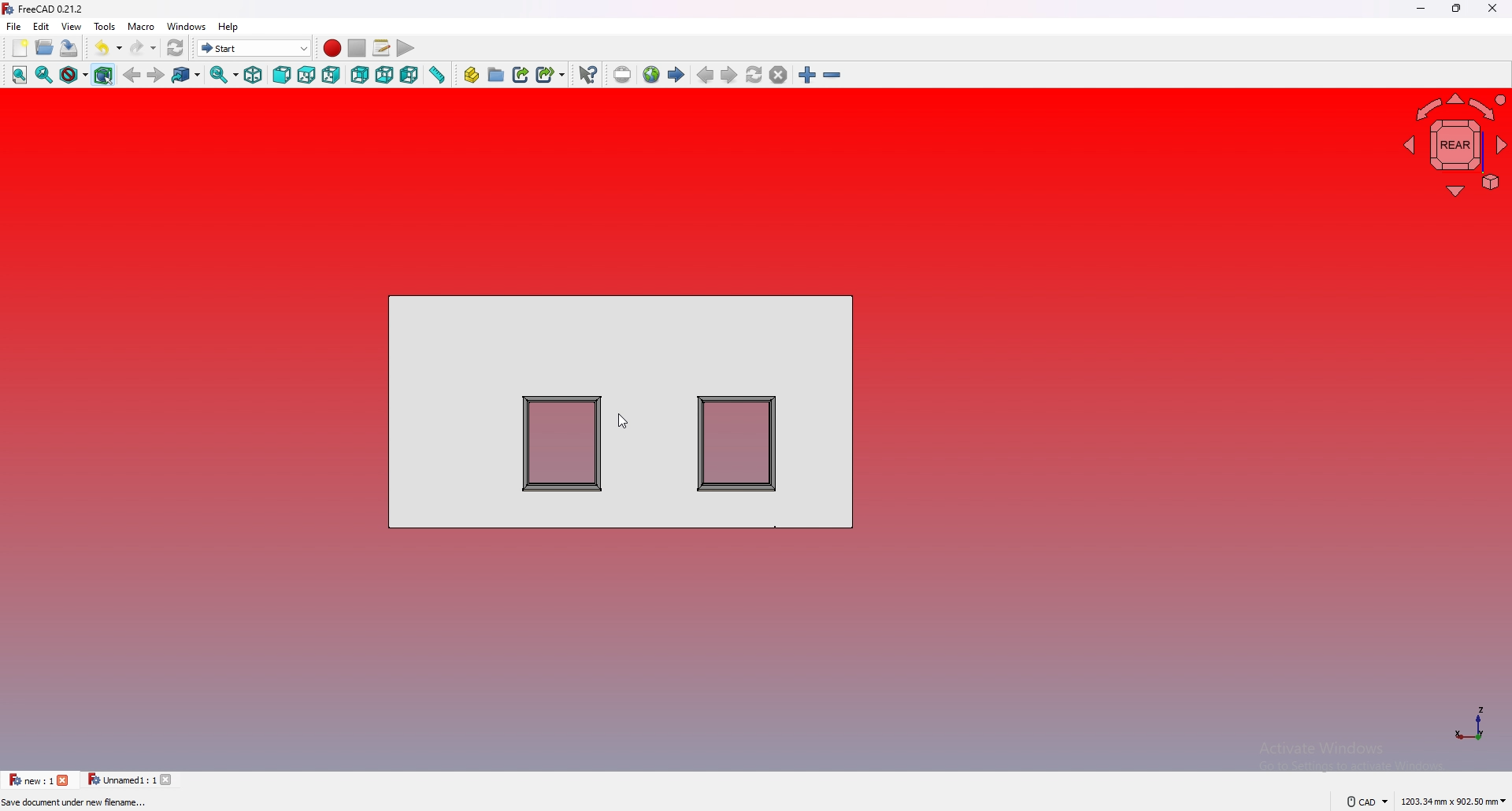  Describe the element at coordinates (621, 421) in the screenshot. I see `cursor` at that location.